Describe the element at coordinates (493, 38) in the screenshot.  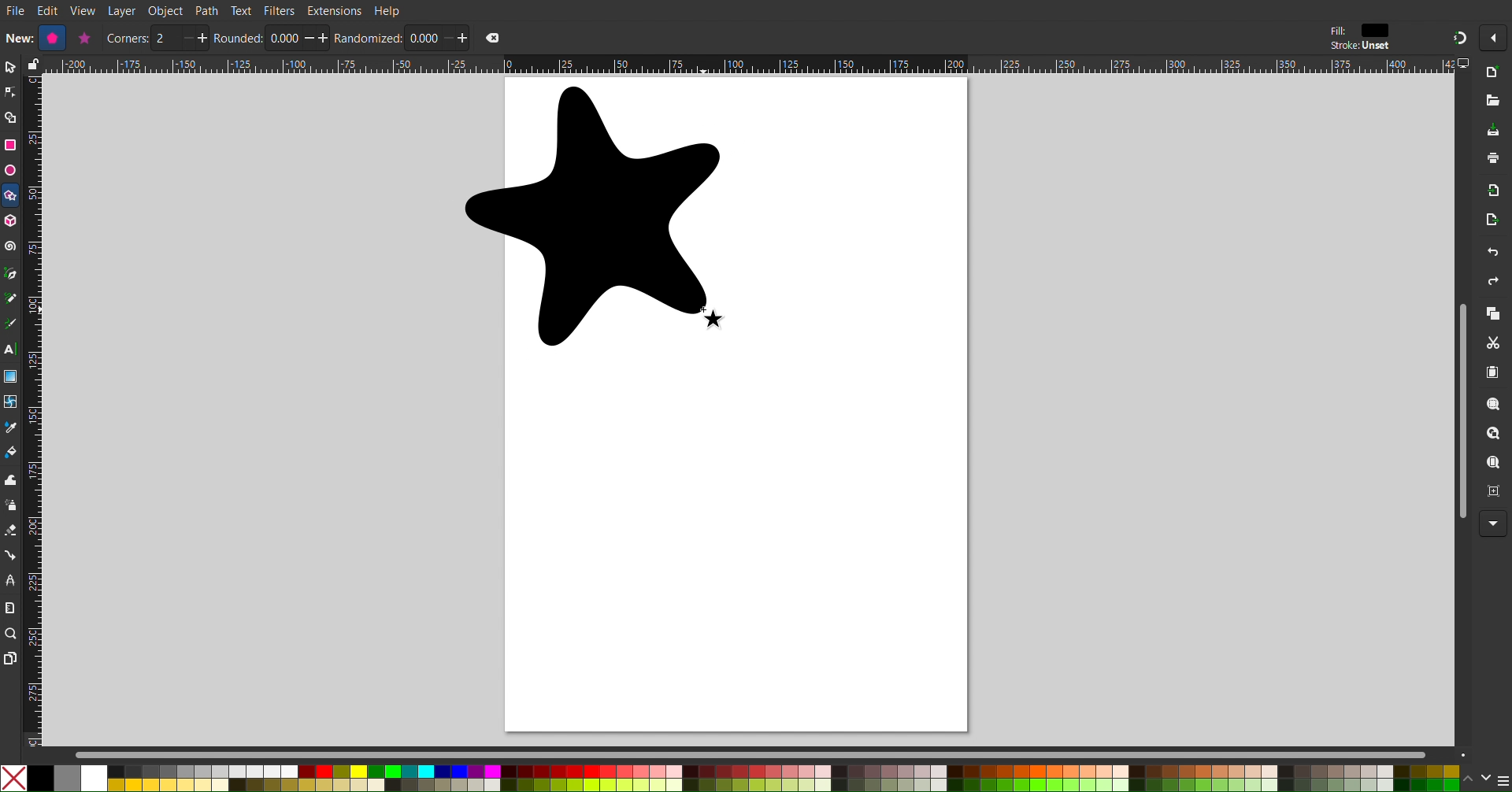
I see `Close` at that location.